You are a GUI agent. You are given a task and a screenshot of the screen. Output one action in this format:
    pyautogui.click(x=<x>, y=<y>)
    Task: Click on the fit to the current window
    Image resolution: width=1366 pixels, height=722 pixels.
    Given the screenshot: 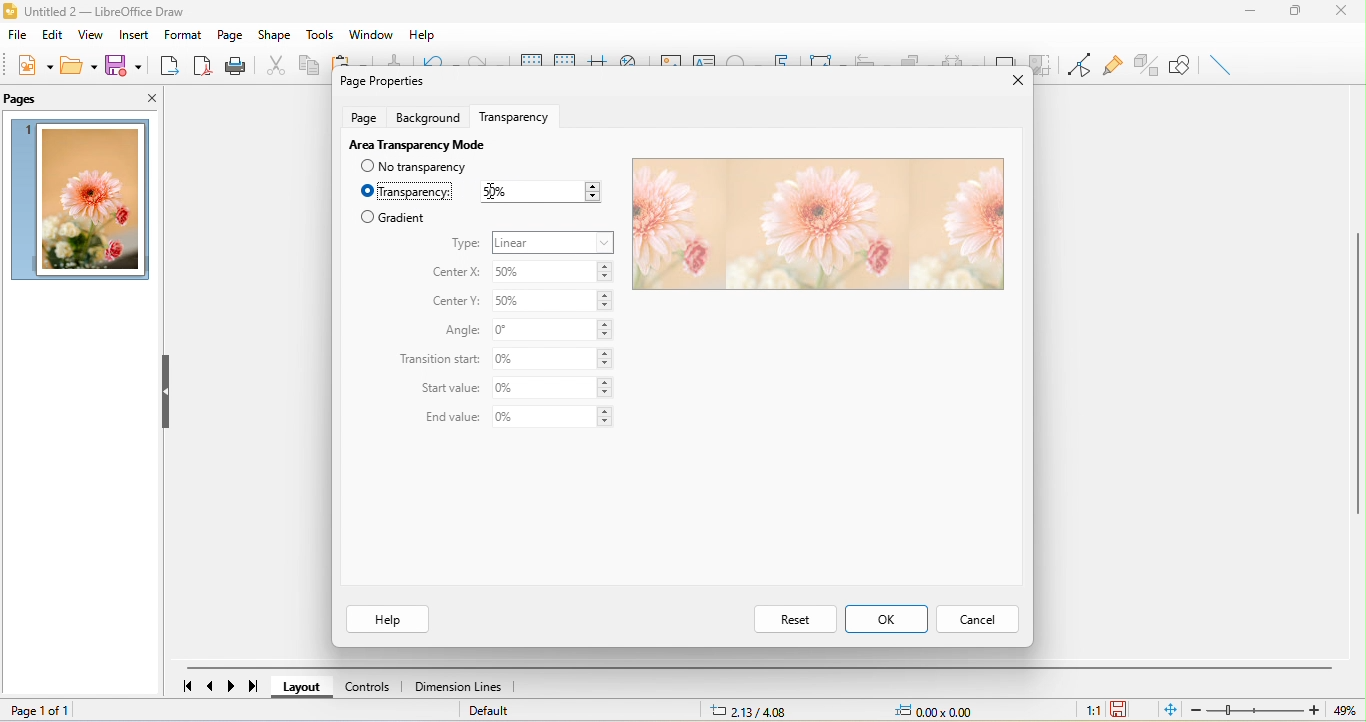 What is the action you would take?
    pyautogui.click(x=1173, y=710)
    